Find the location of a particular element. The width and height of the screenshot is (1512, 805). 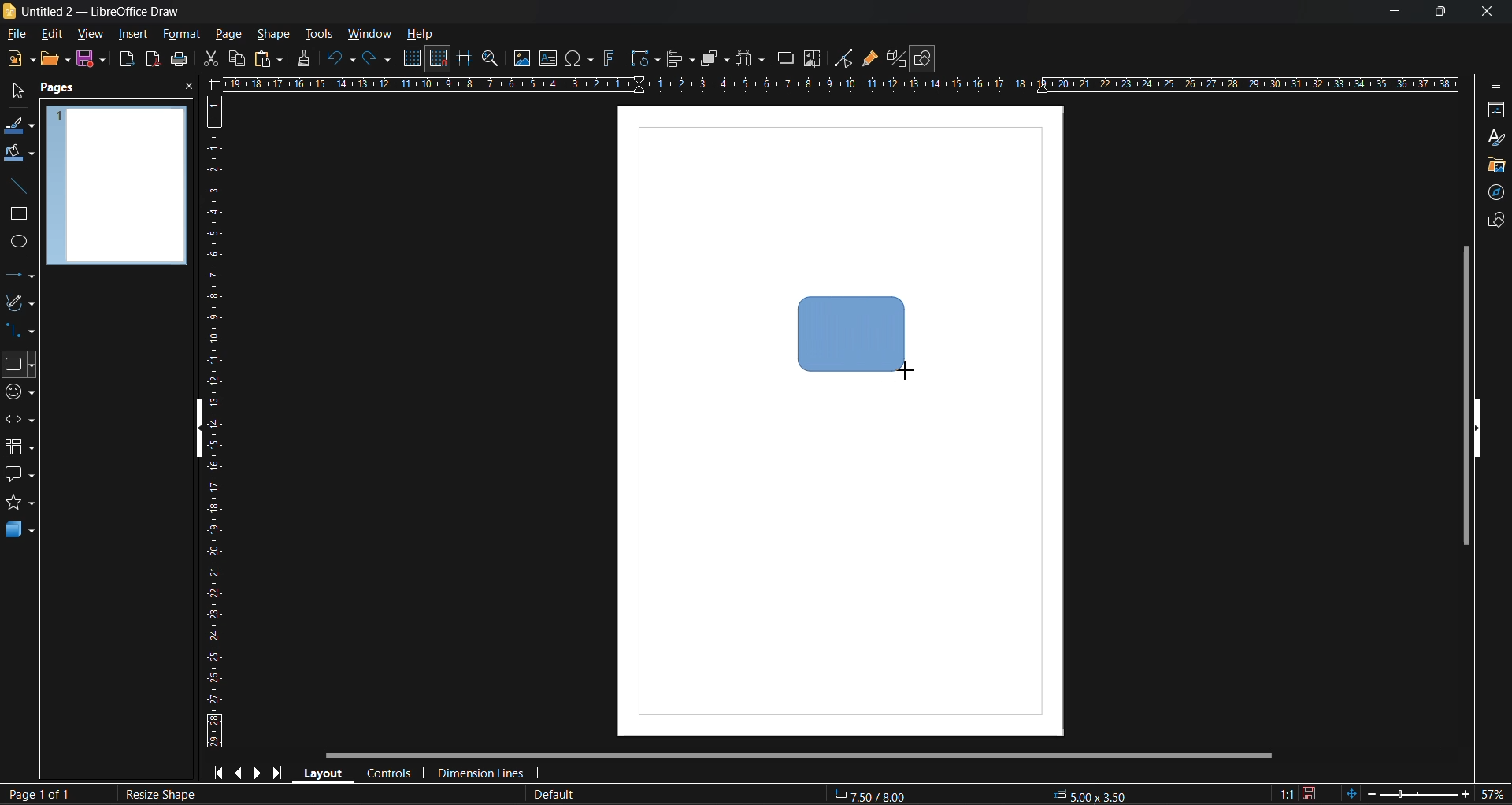

pages is located at coordinates (60, 89).